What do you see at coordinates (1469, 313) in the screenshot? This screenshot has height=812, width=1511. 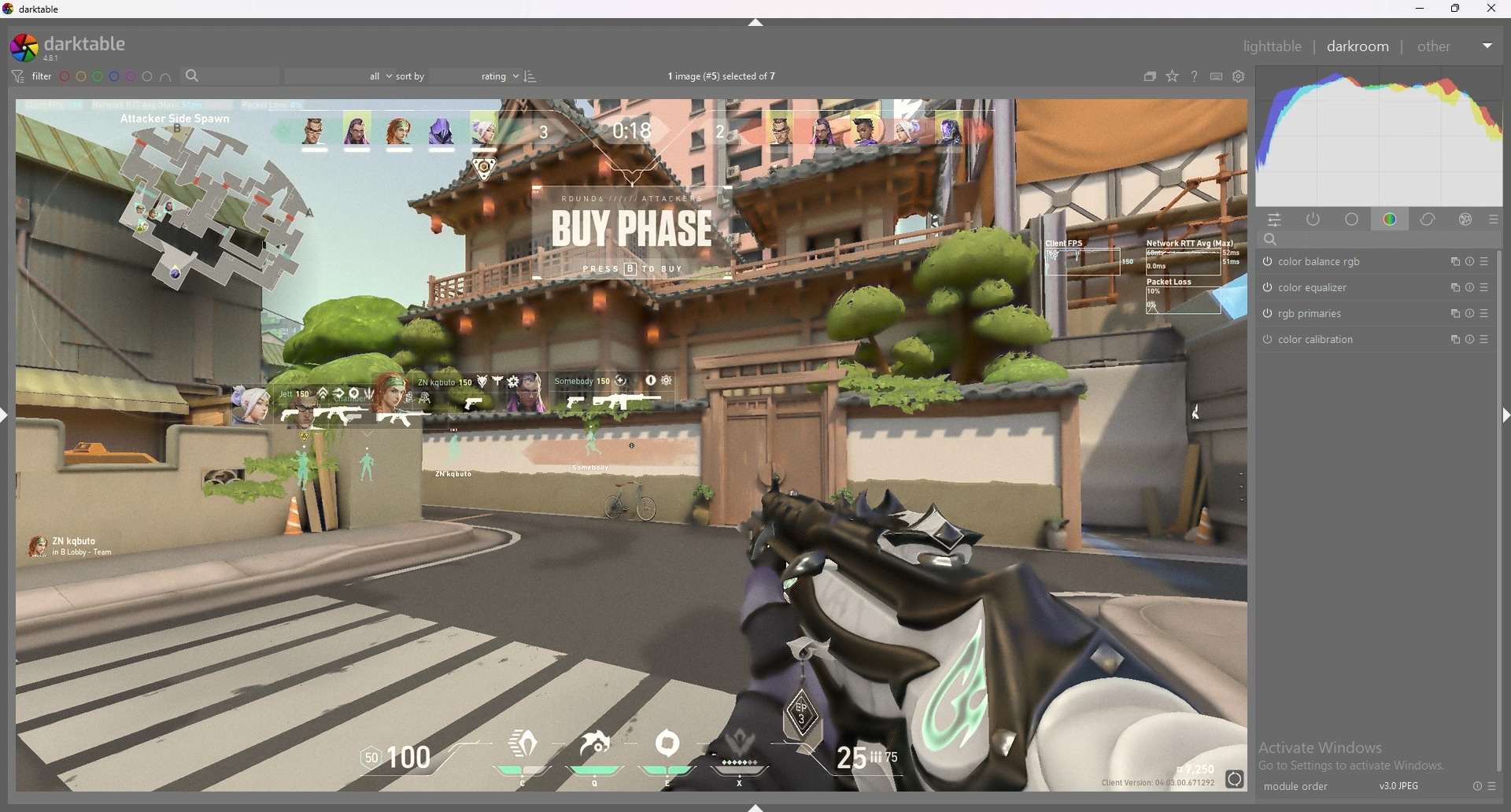 I see `reset` at bounding box center [1469, 313].